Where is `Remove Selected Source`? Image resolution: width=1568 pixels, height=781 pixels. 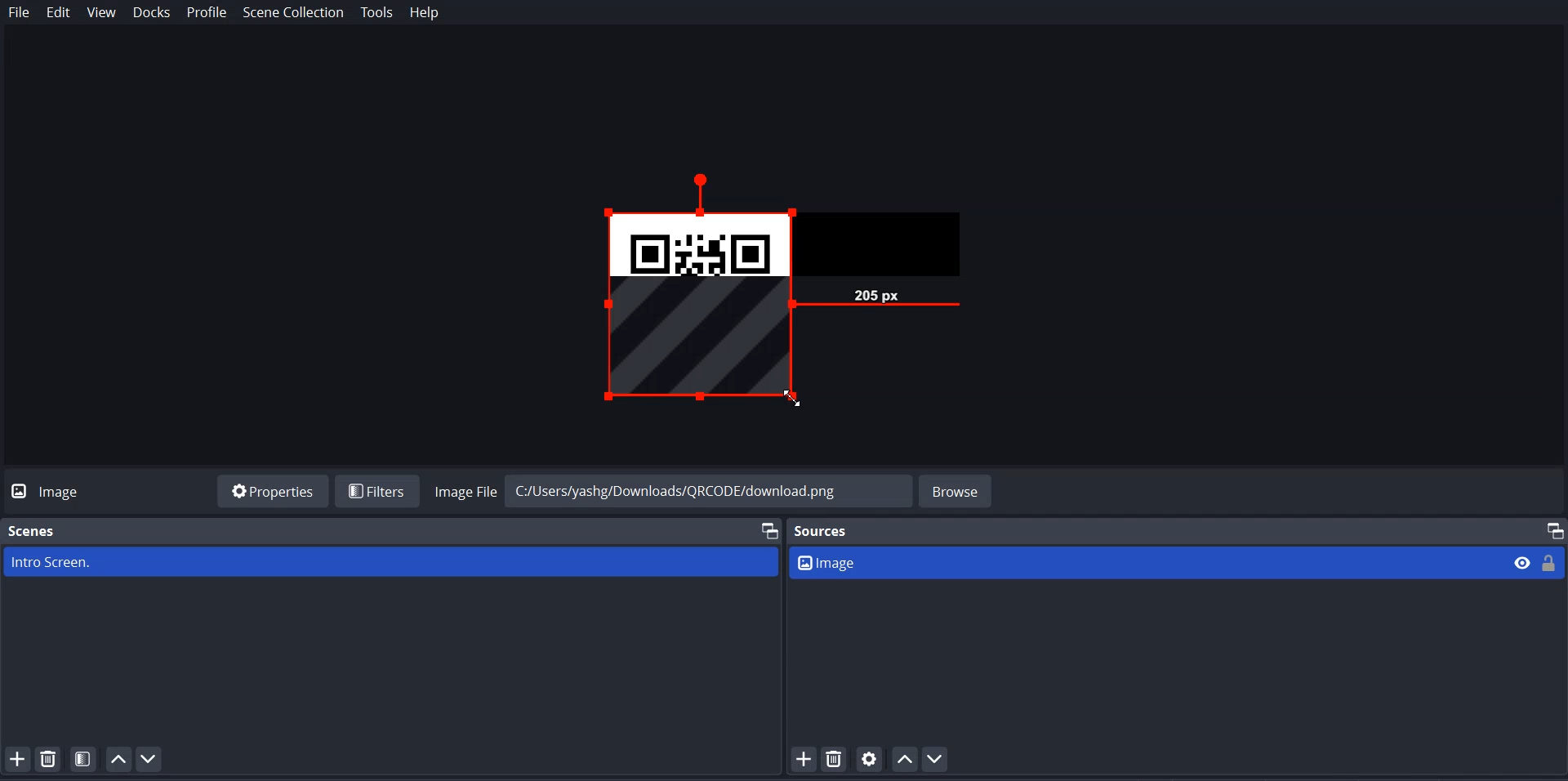 Remove Selected Source is located at coordinates (835, 759).